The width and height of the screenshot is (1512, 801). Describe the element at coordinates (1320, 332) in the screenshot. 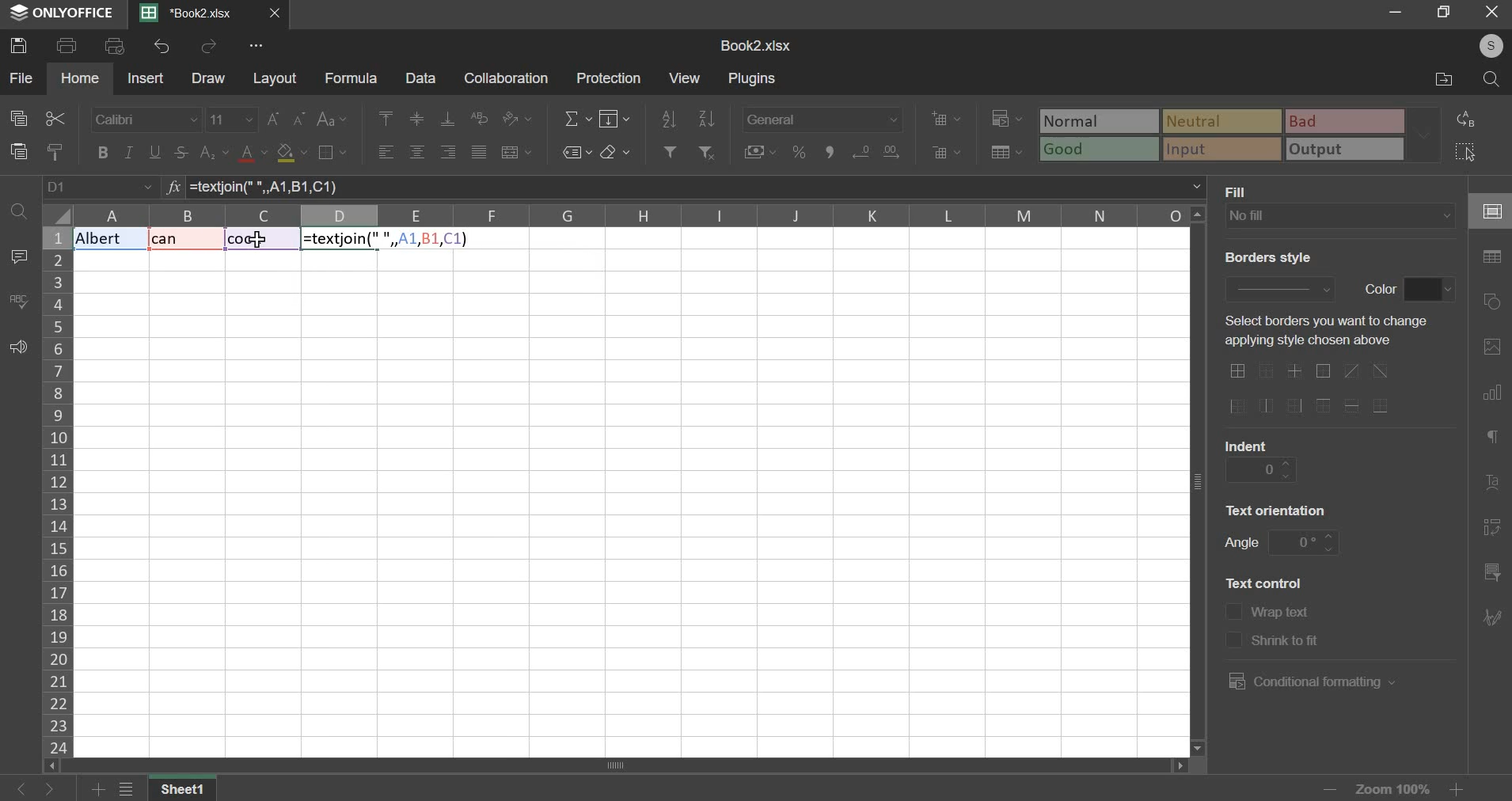

I see `text` at that location.